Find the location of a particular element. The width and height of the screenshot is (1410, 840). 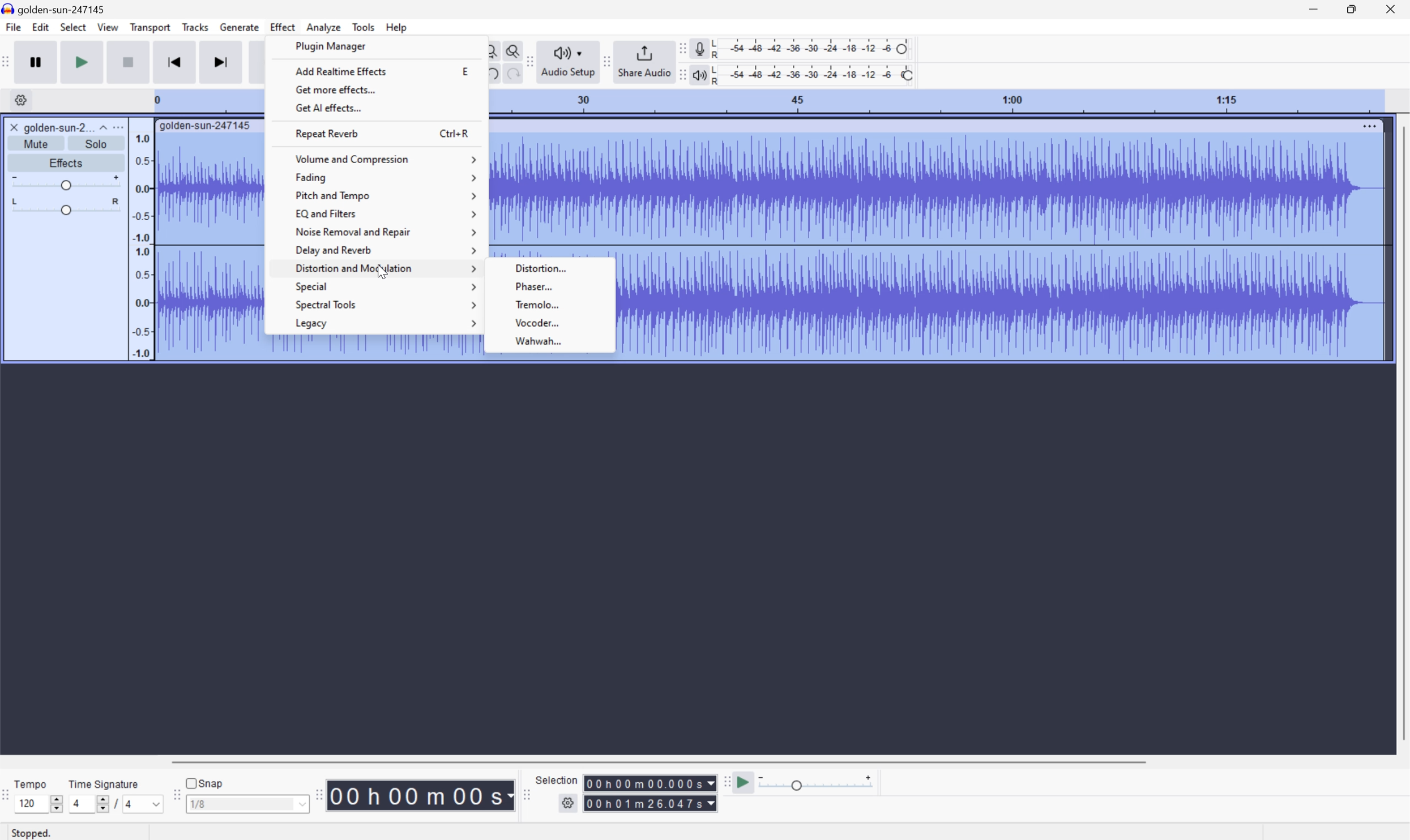

Audacity audio share toolbar is located at coordinates (530, 59).